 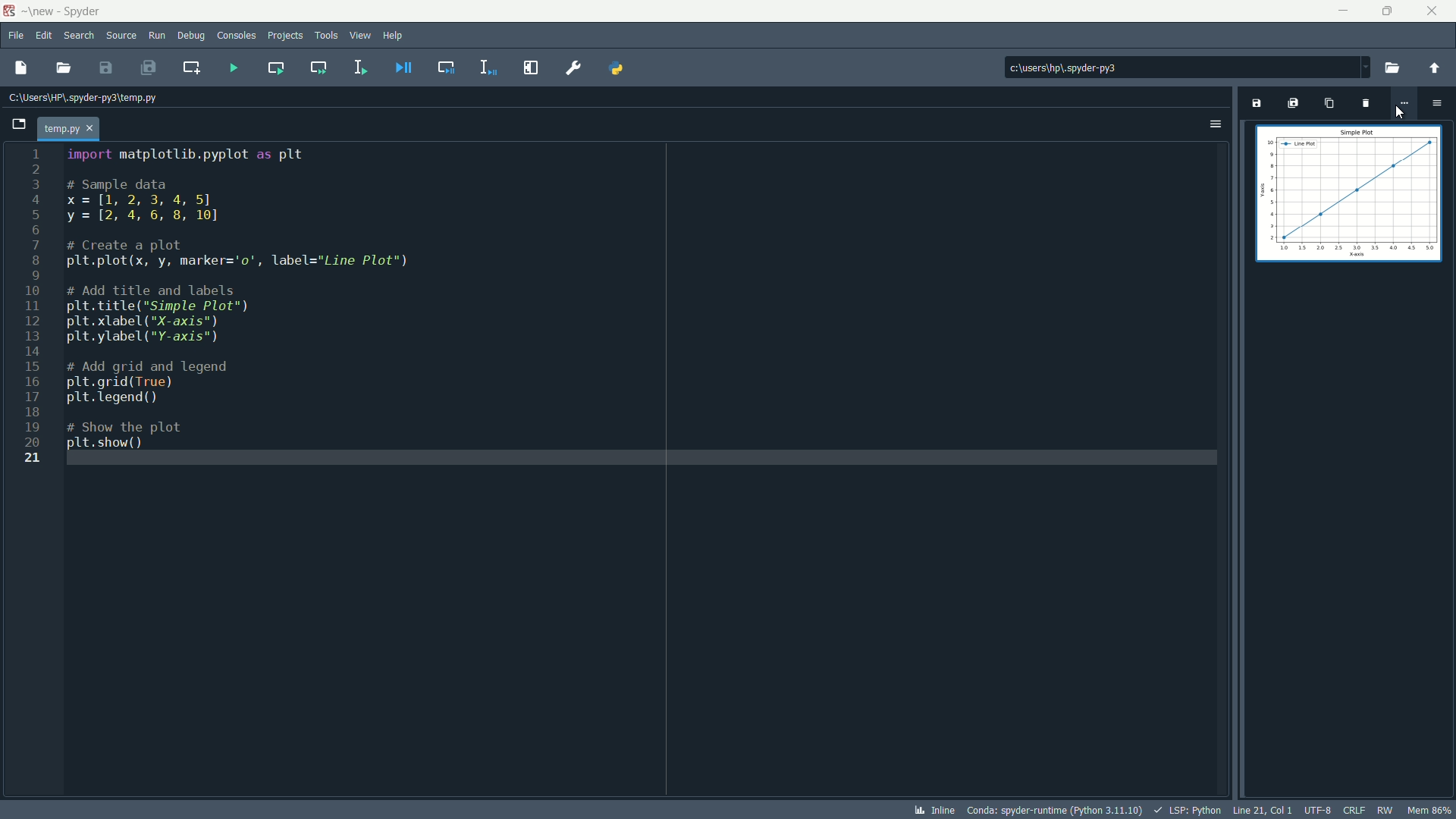 I want to click on options, so click(x=1216, y=123).